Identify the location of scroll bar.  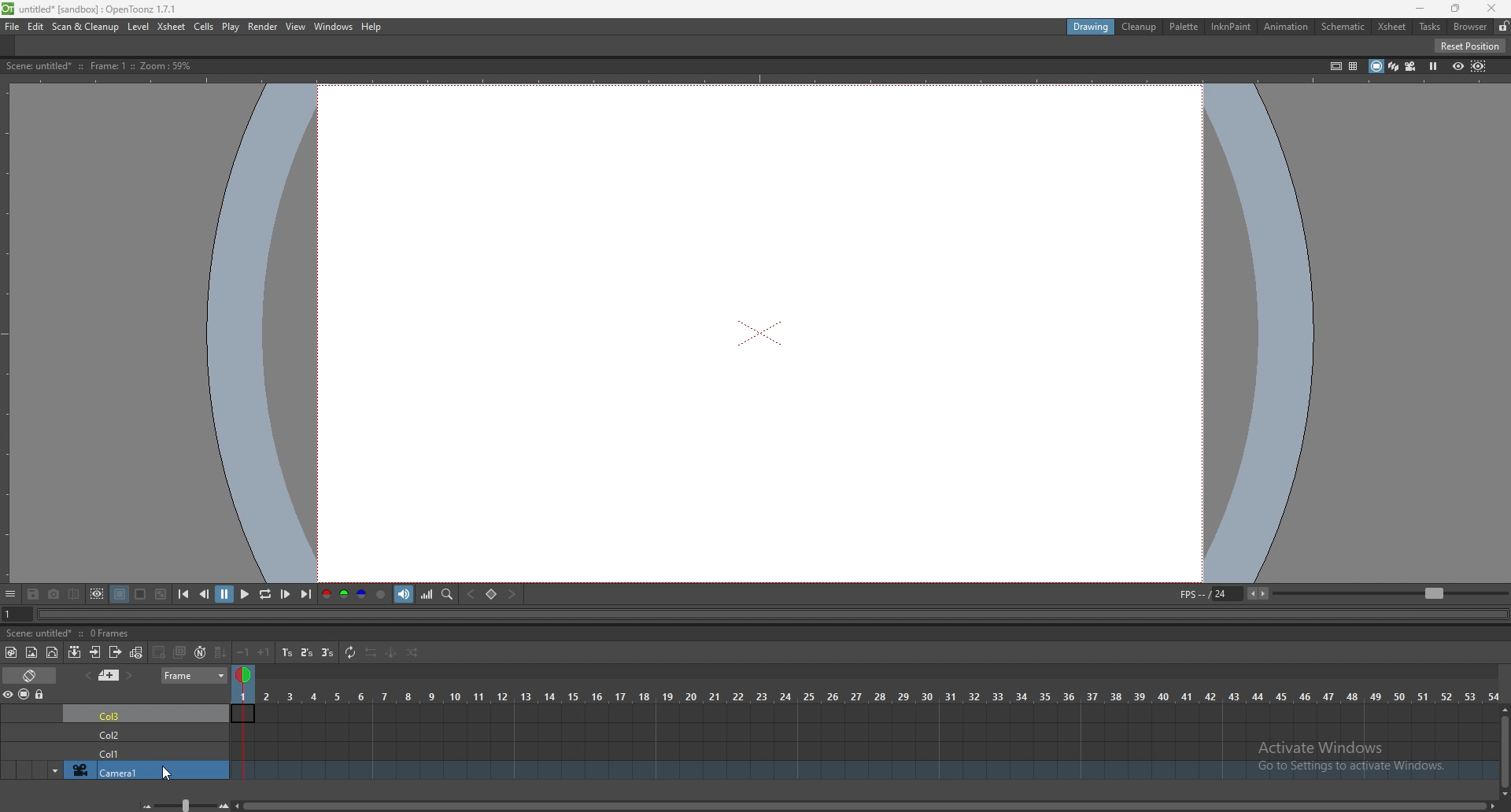
(1503, 749).